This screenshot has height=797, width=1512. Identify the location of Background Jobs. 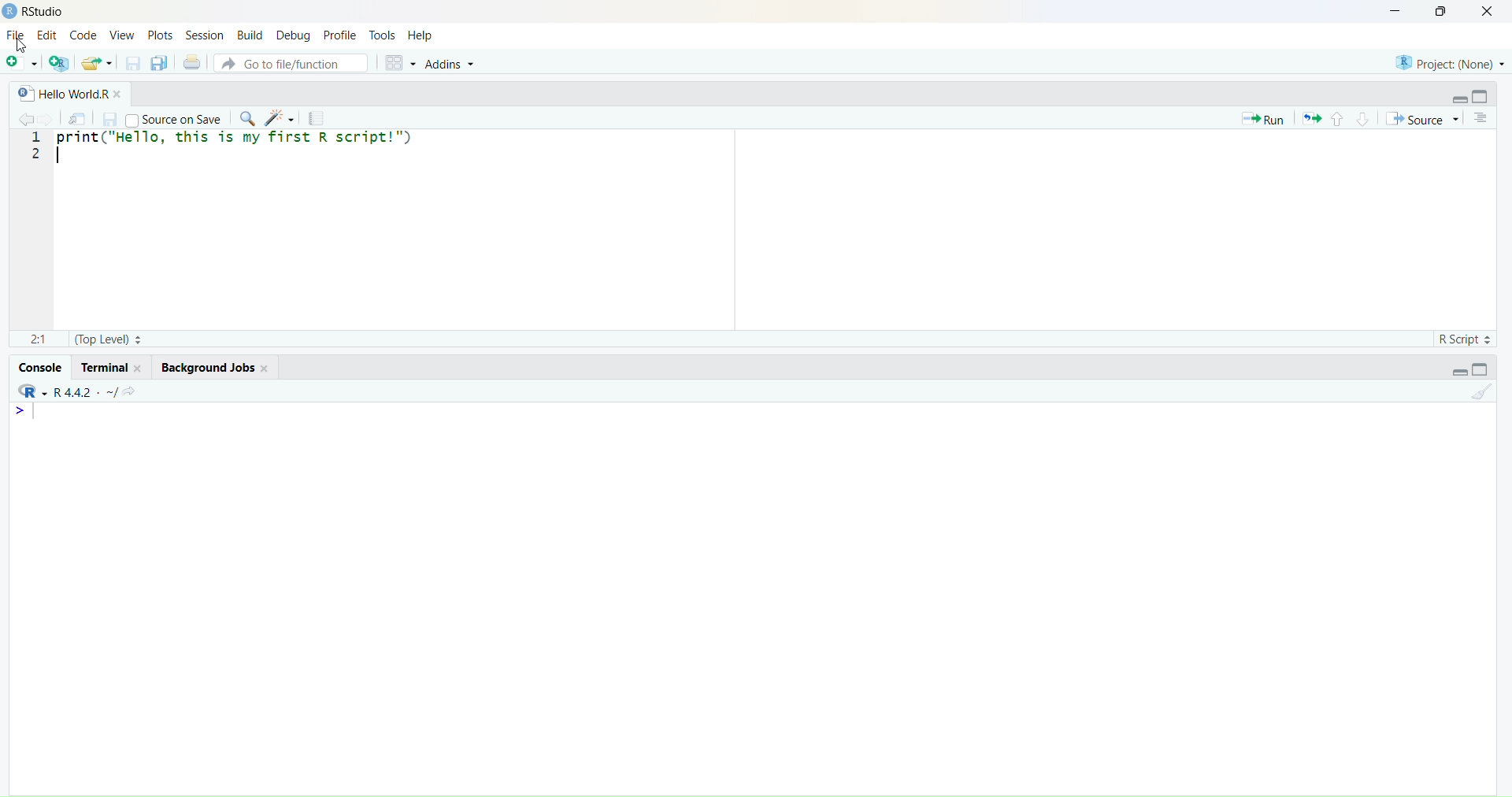
(209, 366).